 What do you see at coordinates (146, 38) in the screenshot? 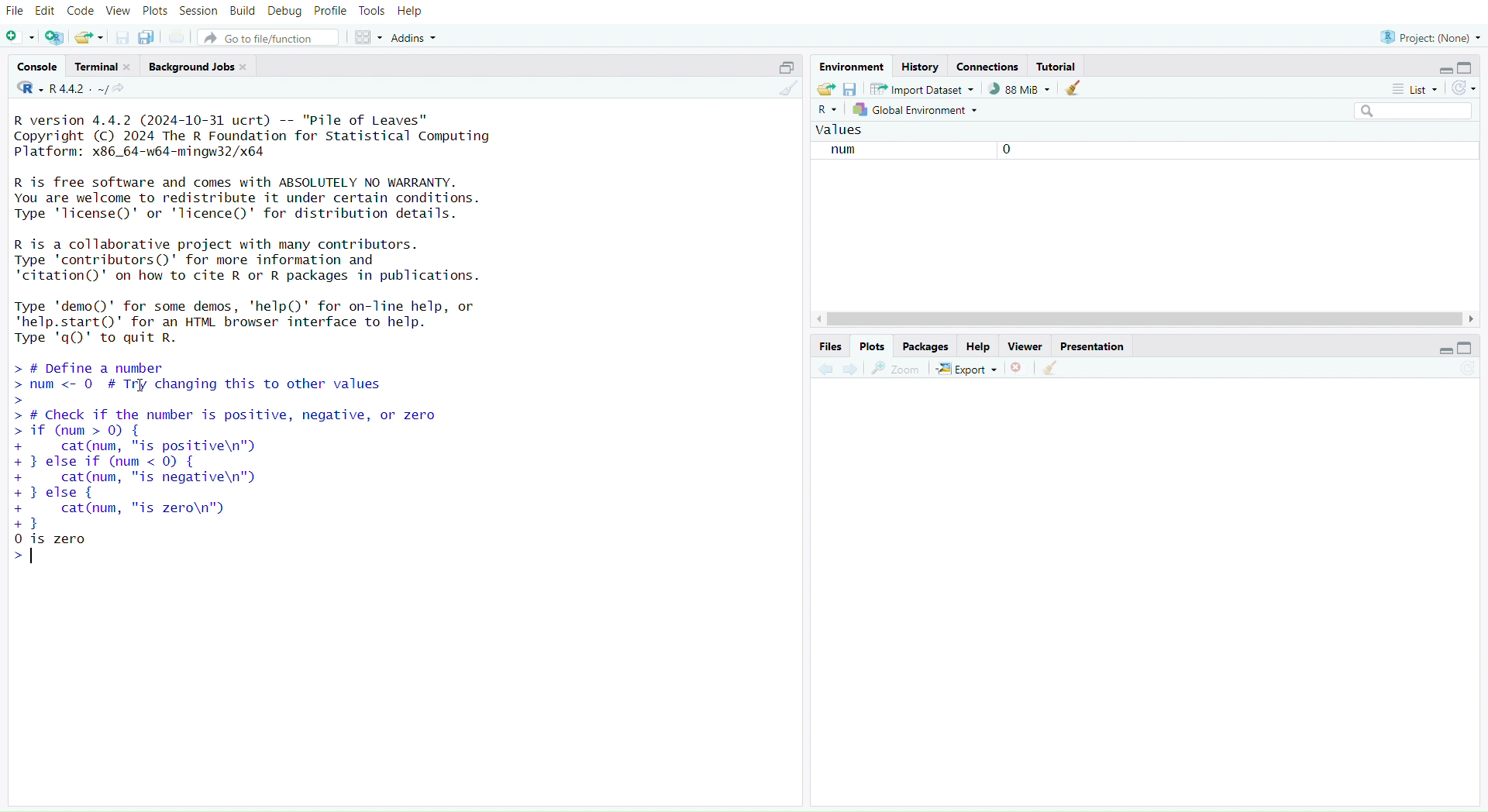
I see `save all open document` at bounding box center [146, 38].